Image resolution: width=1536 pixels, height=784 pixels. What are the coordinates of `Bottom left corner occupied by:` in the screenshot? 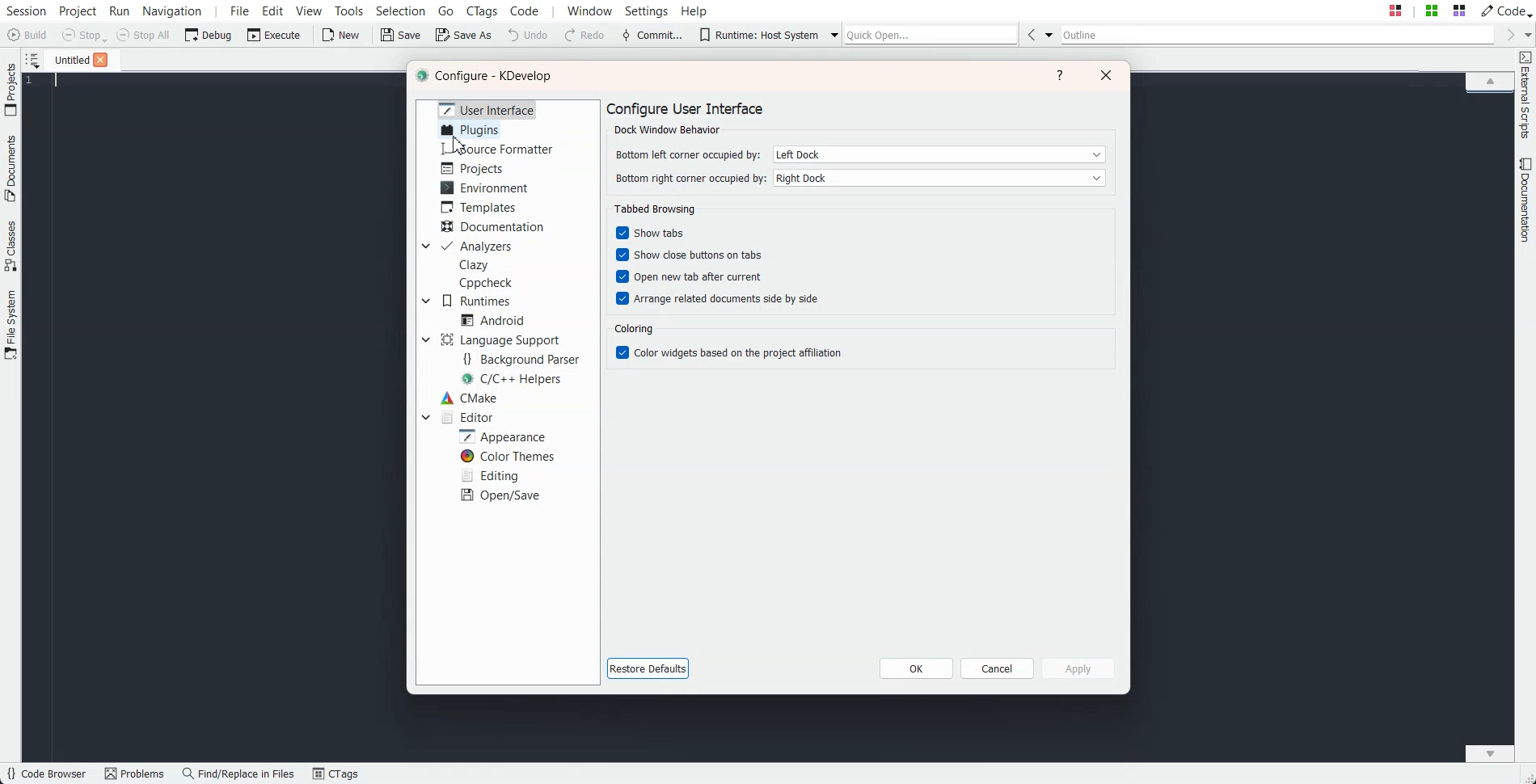 It's located at (687, 154).